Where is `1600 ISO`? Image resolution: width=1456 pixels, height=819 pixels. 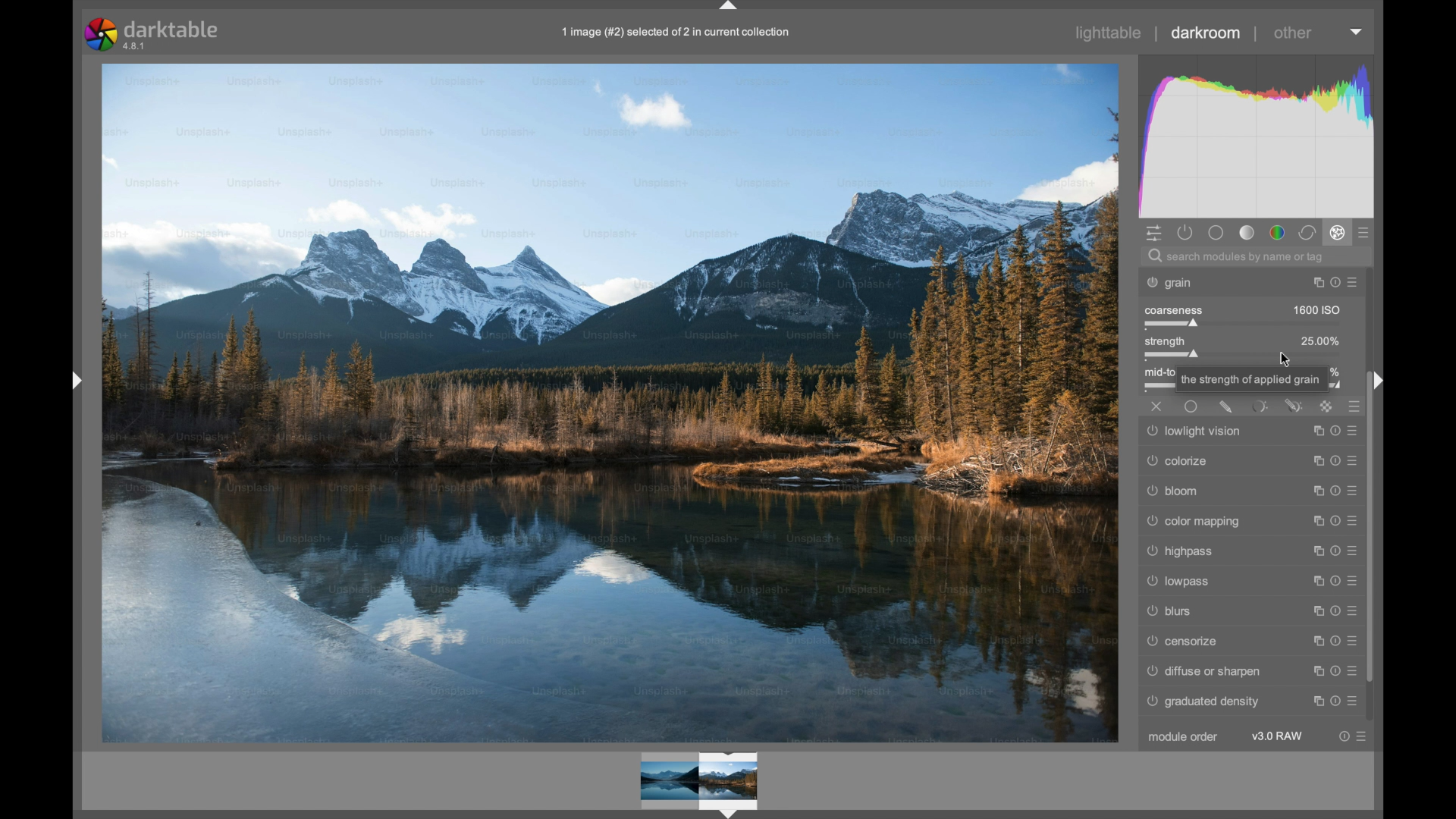 1600 ISO is located at coordinates (1318, 309).